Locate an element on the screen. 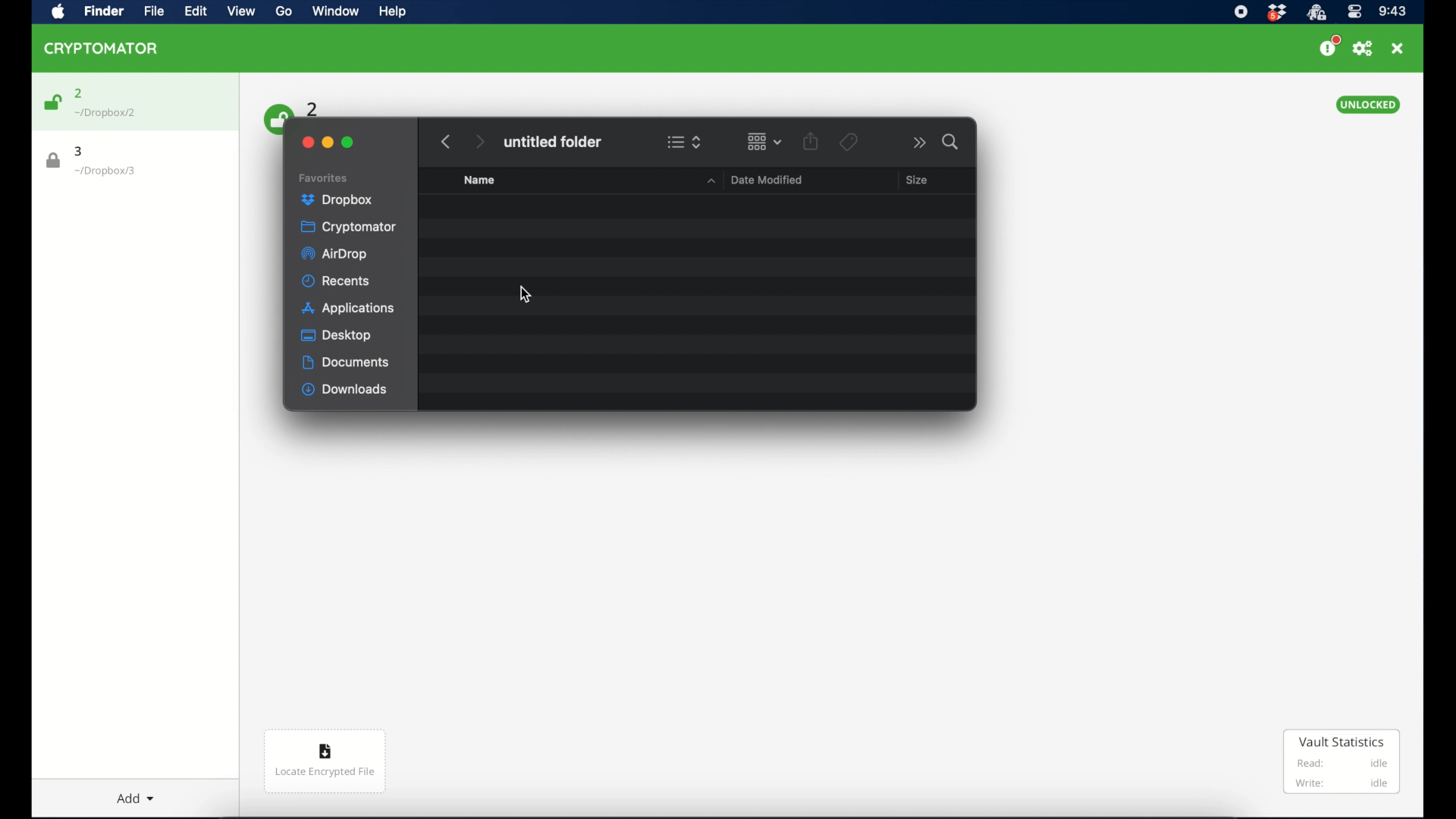 Image resolution: width=1456 pixels, height=819 pixels. tags is located at coordinates (848, 142).